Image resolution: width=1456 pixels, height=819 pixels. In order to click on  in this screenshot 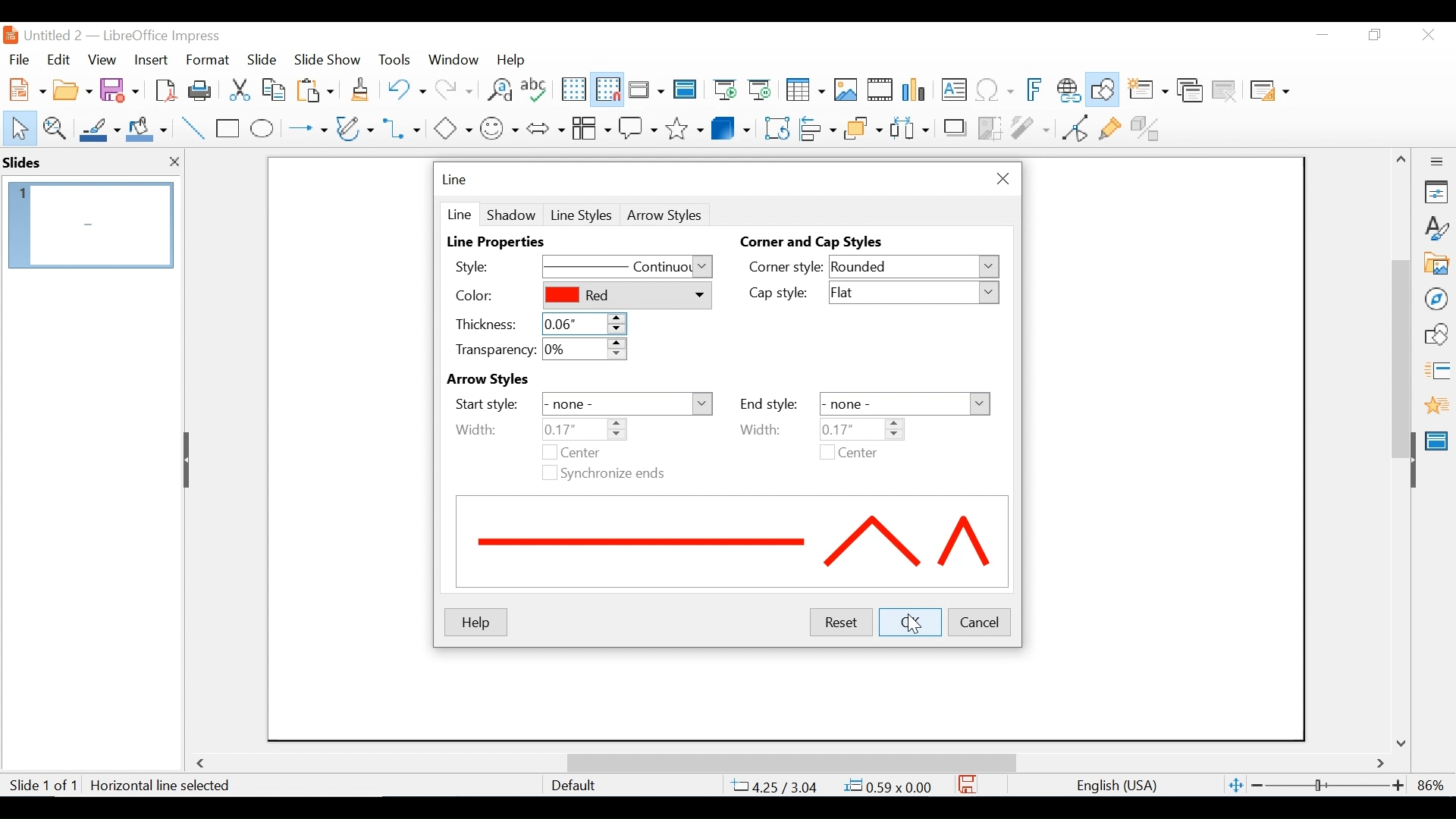, I will do `click(356, 127)`.